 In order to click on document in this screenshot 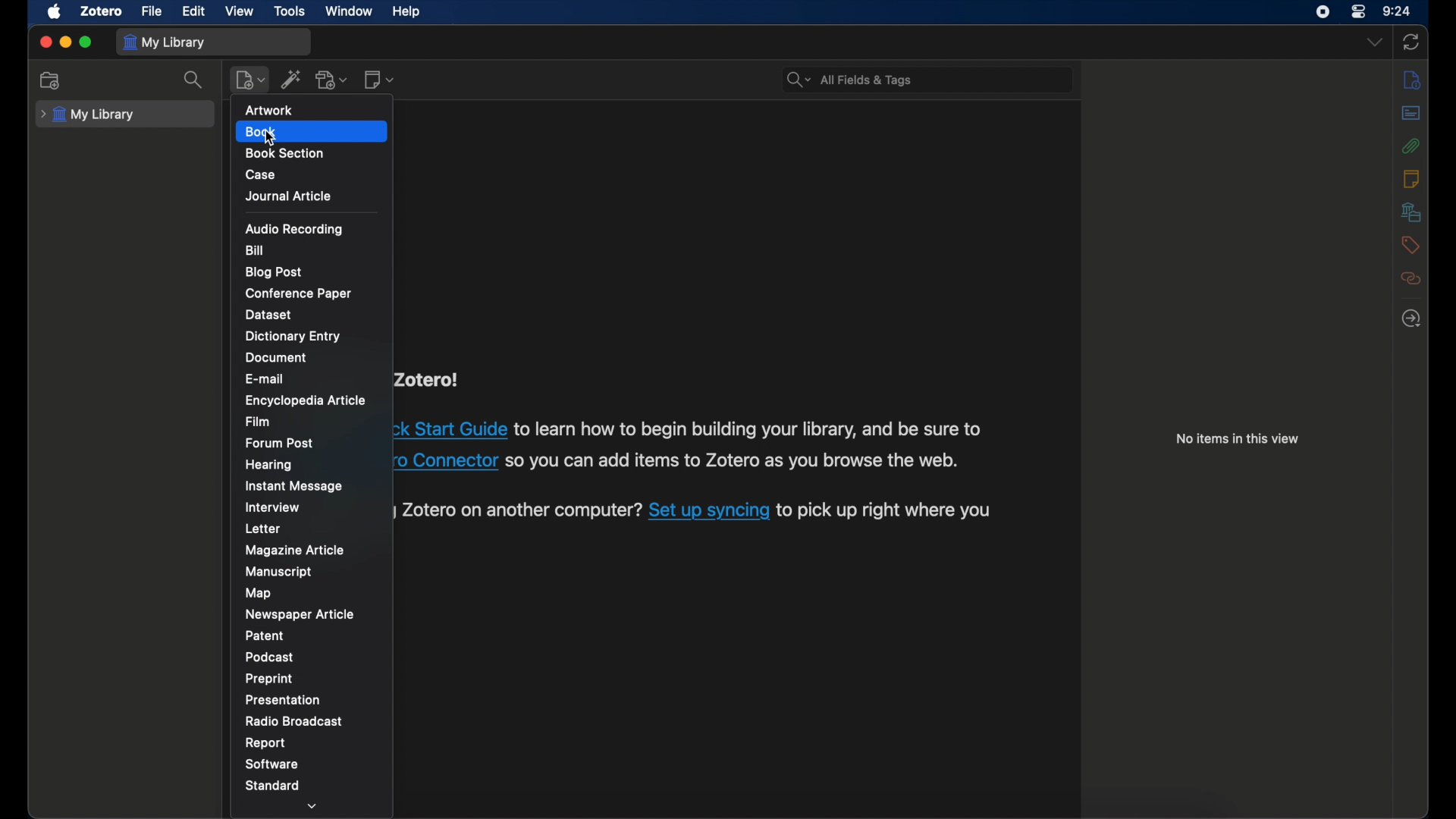, I will do `click(278, 358)`.